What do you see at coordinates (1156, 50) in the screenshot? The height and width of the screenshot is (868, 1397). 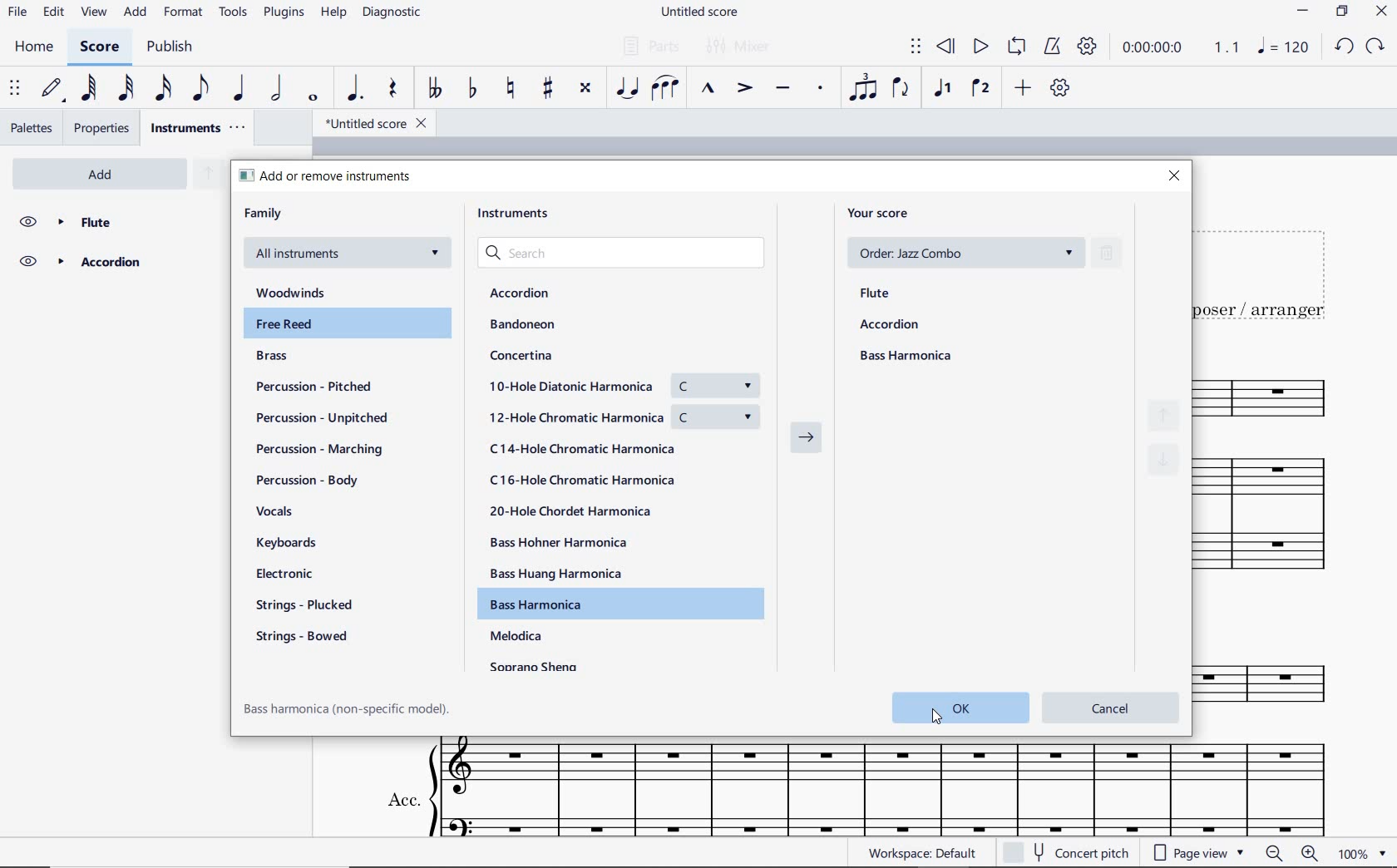 I see `playback time` at bounding box center [1156, 50].